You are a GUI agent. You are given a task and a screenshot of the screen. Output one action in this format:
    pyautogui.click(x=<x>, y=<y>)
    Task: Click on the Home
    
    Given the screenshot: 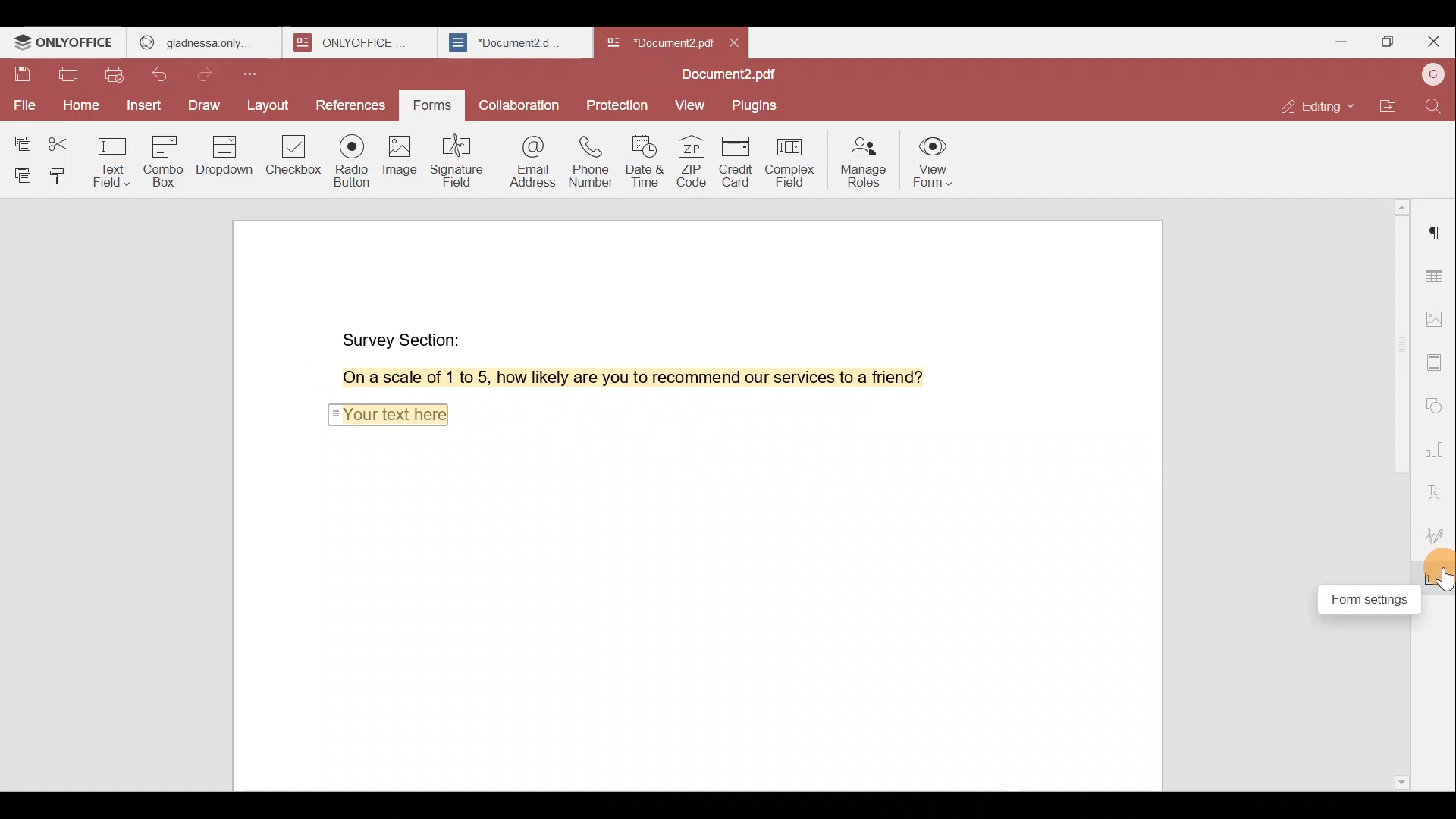 What is the action you would take?
    pyautogui.click(x=78, y=108)
    